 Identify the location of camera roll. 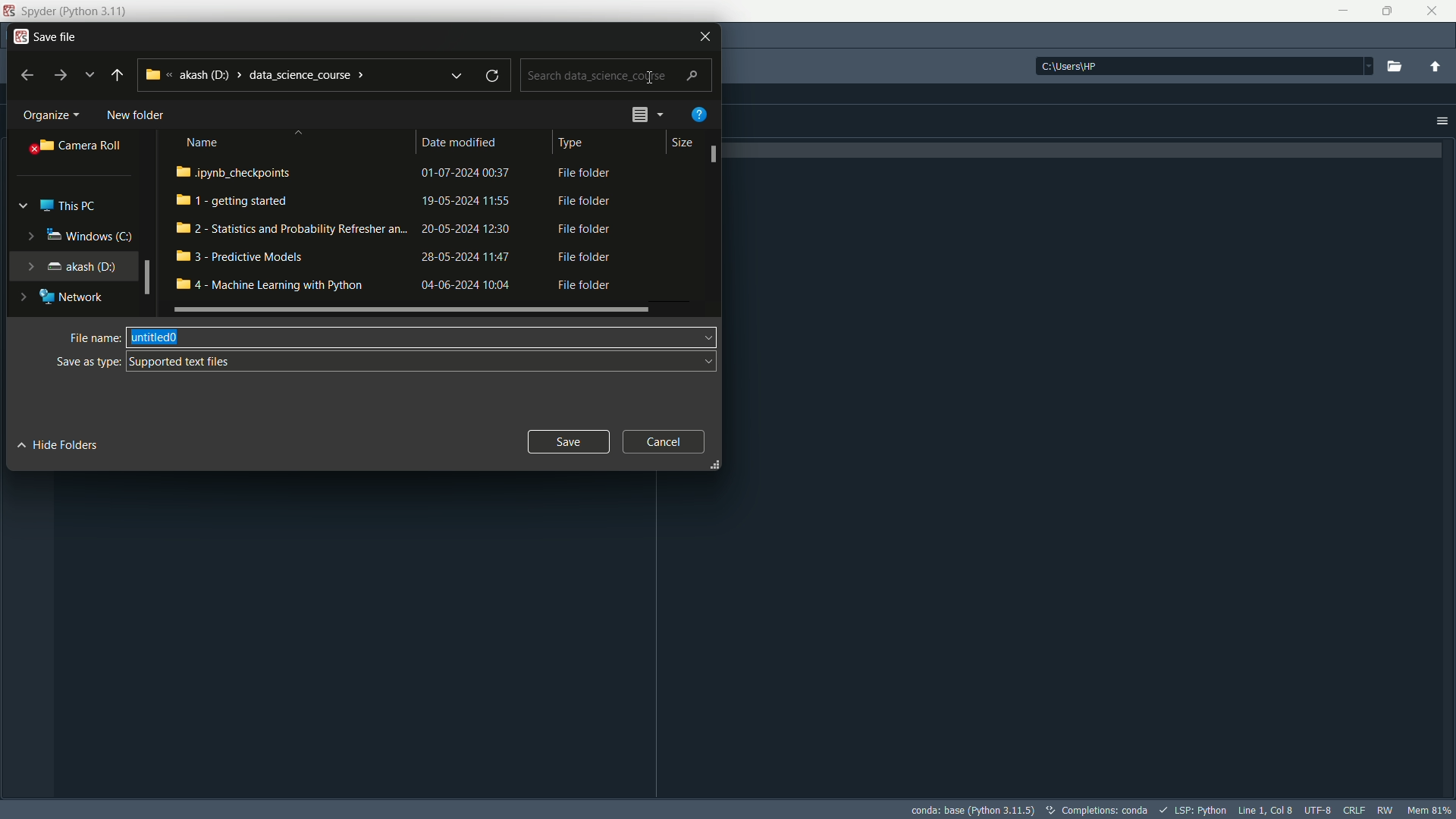
(76, 146).